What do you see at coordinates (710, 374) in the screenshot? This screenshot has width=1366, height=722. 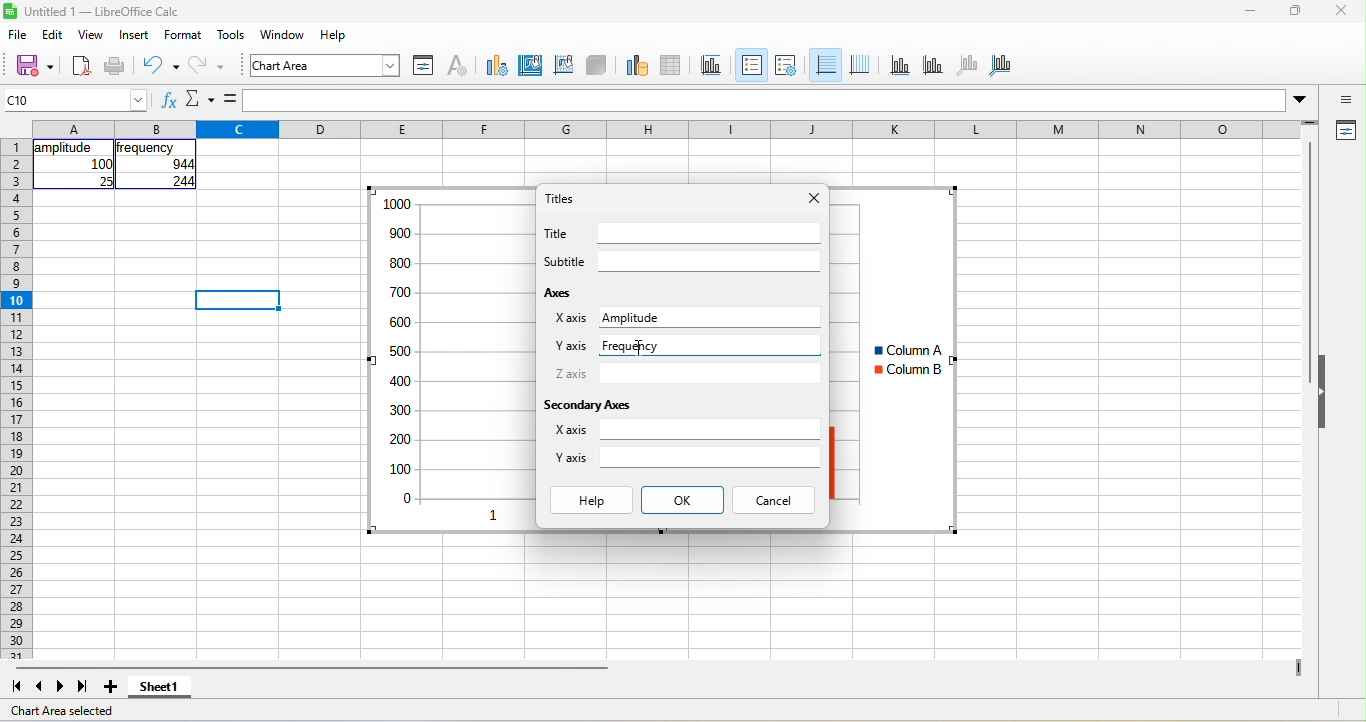 I see `Input for z axis` at bounding box center [710, 374].